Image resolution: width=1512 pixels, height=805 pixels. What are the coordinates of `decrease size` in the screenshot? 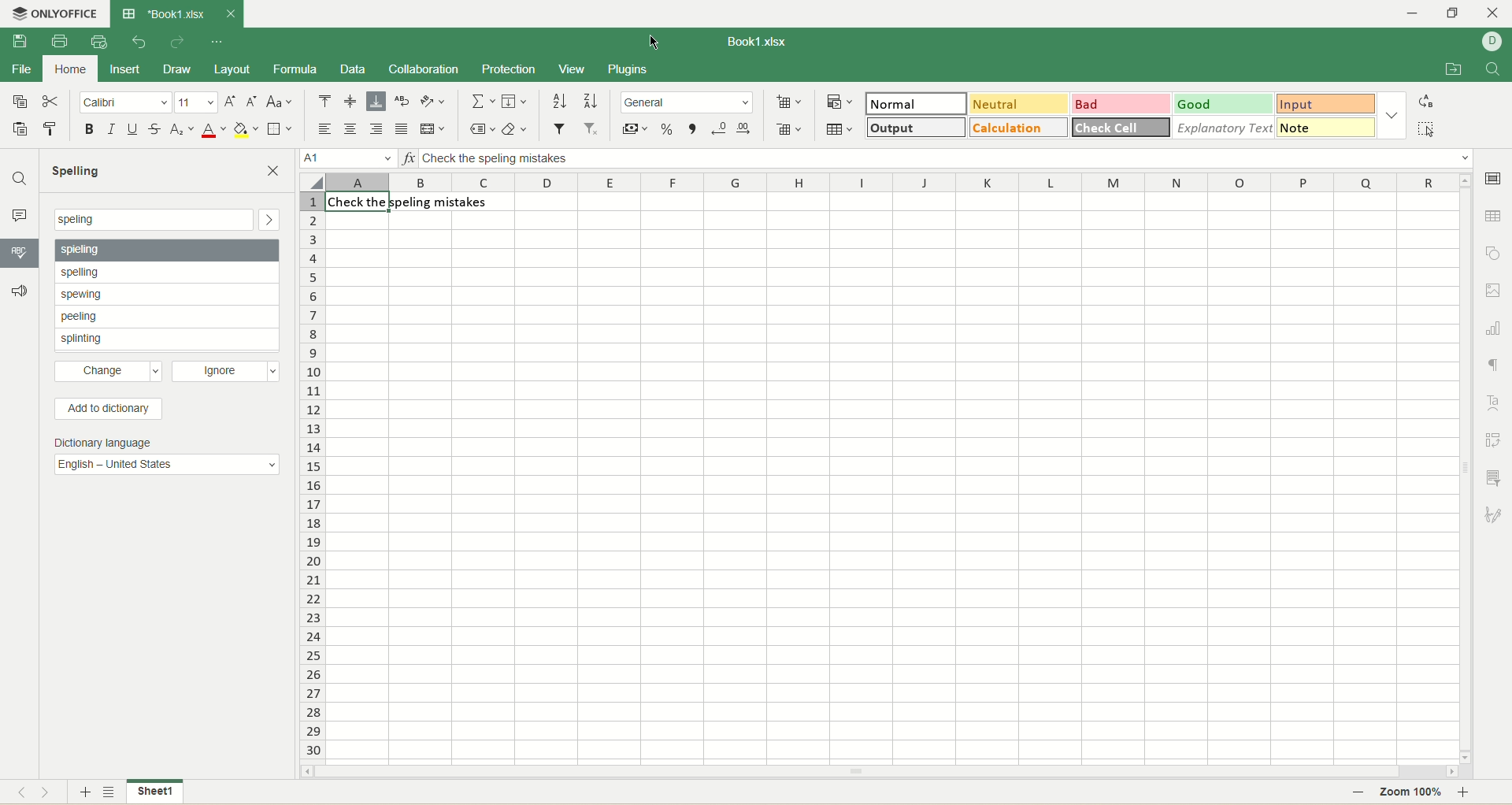 It's located at (252, 102).